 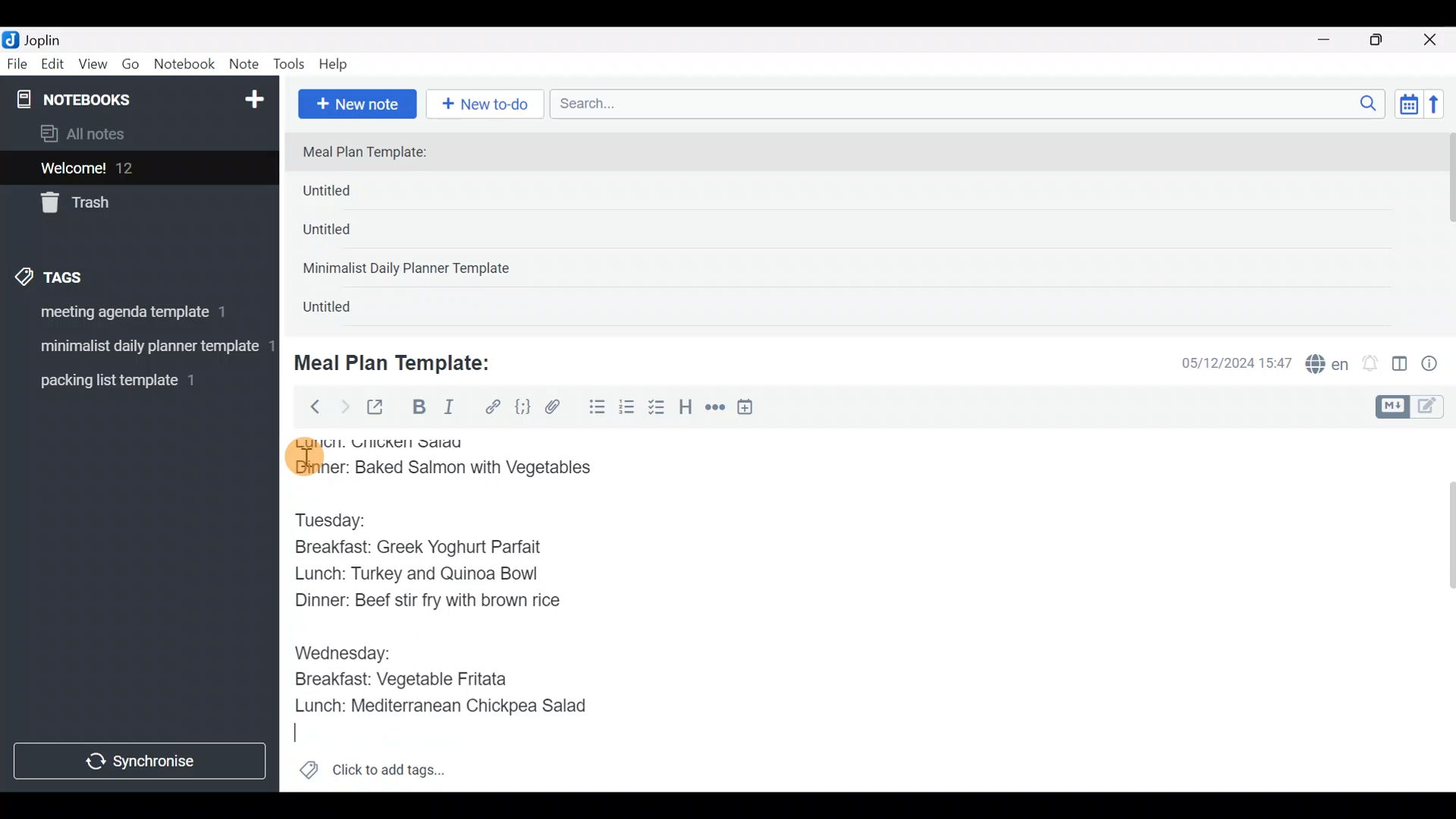 I want to click on Toggle editor layout, so click(x=1401, y=366).